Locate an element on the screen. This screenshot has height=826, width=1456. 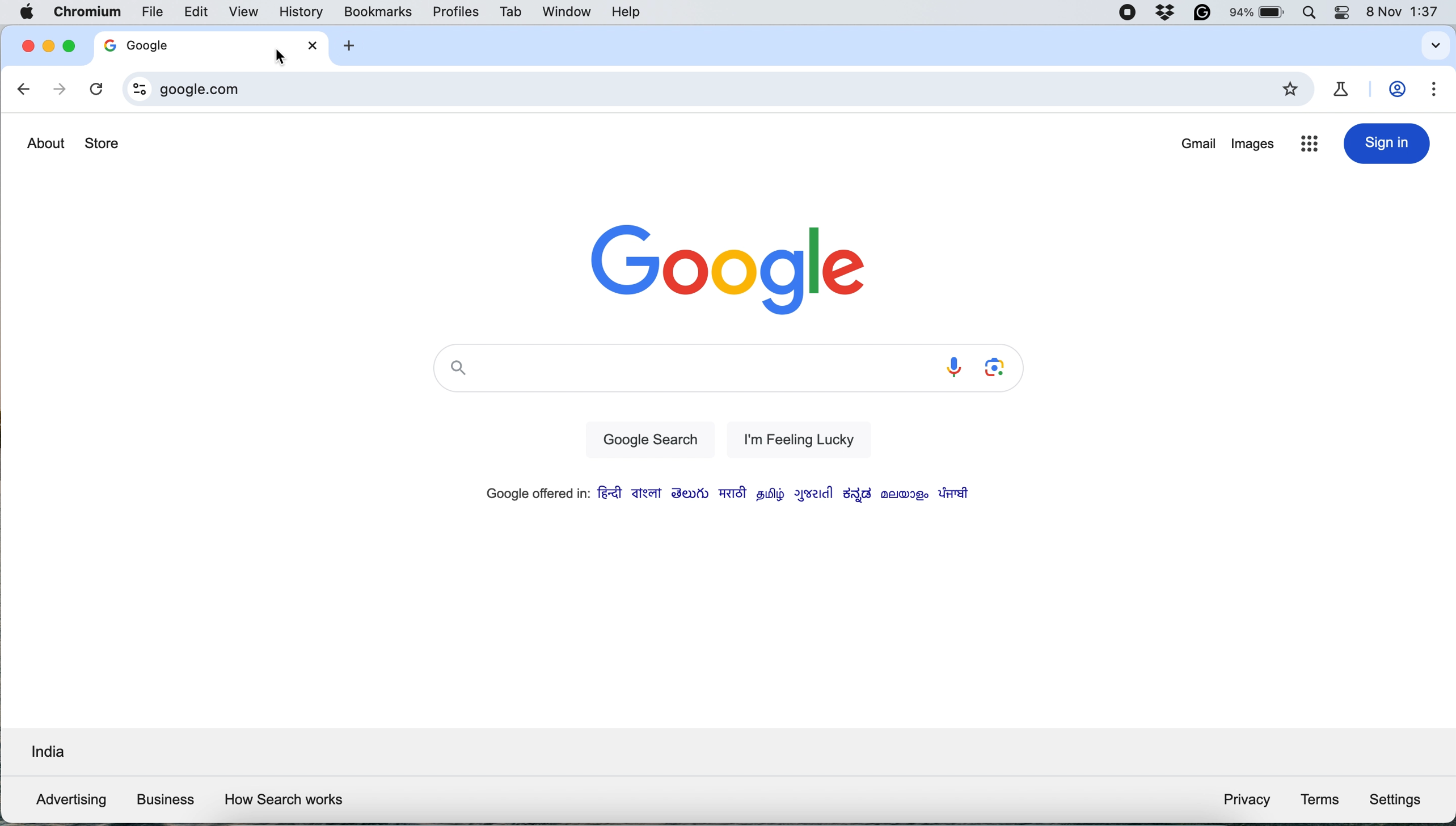
control center is located at coordinates (1347, 14).